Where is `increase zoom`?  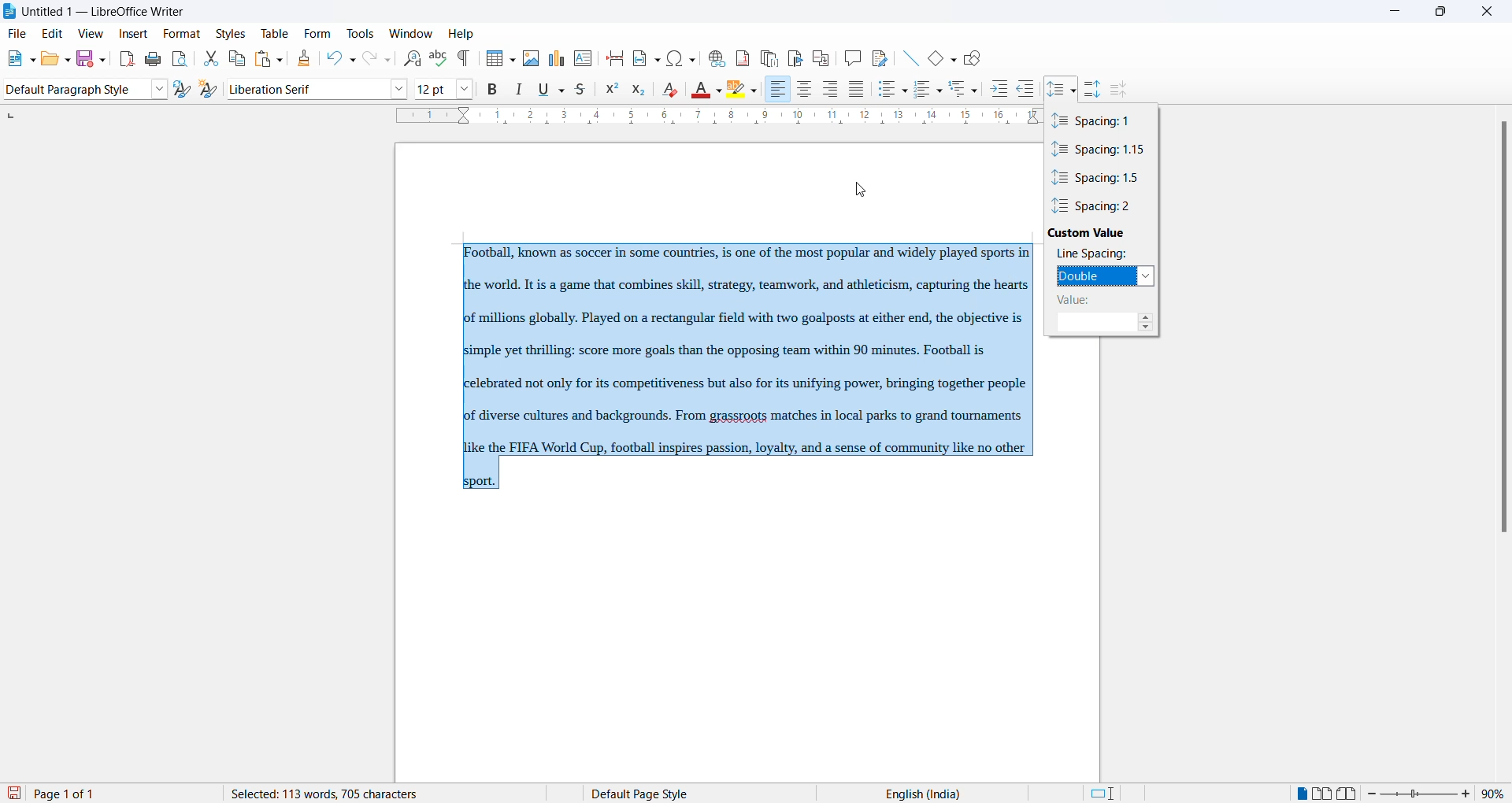 increase zoom is located at coordinates (1470, 794).